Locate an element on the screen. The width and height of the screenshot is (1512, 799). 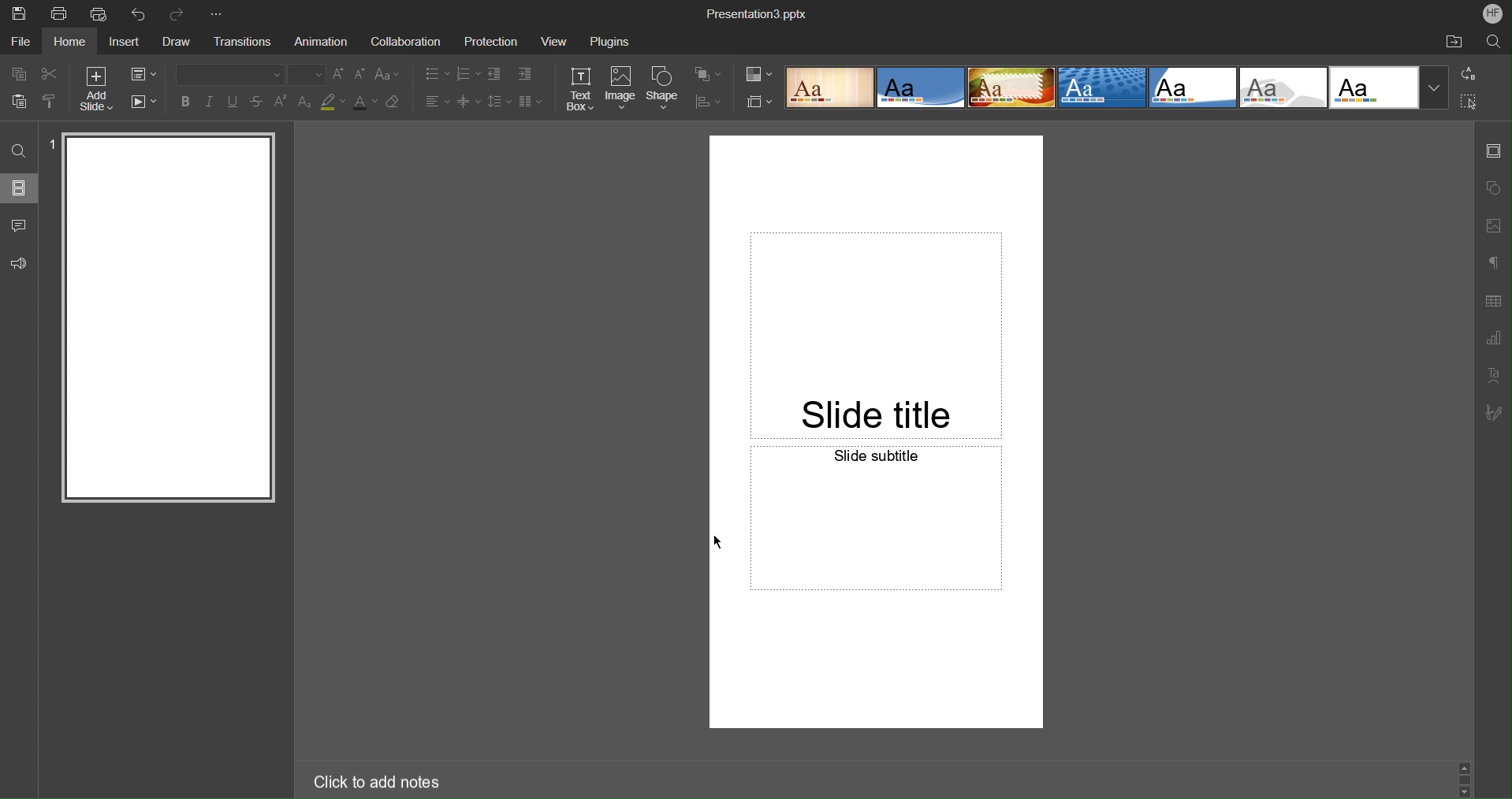
Text Box is located at coordinates (580, 89).